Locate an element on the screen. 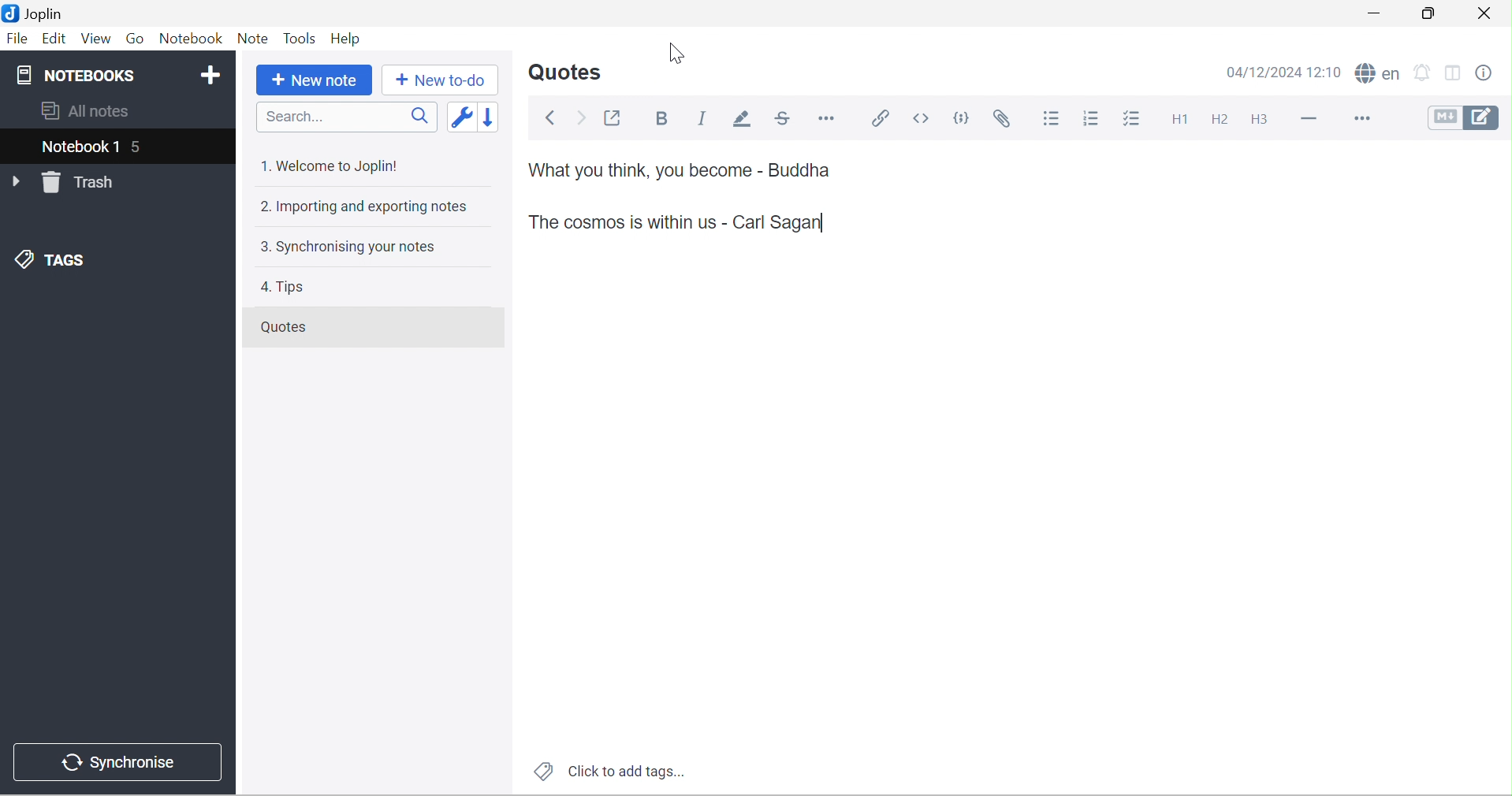 The image size is (1512, 796). Attach file is located at coordinates (1011, 119).